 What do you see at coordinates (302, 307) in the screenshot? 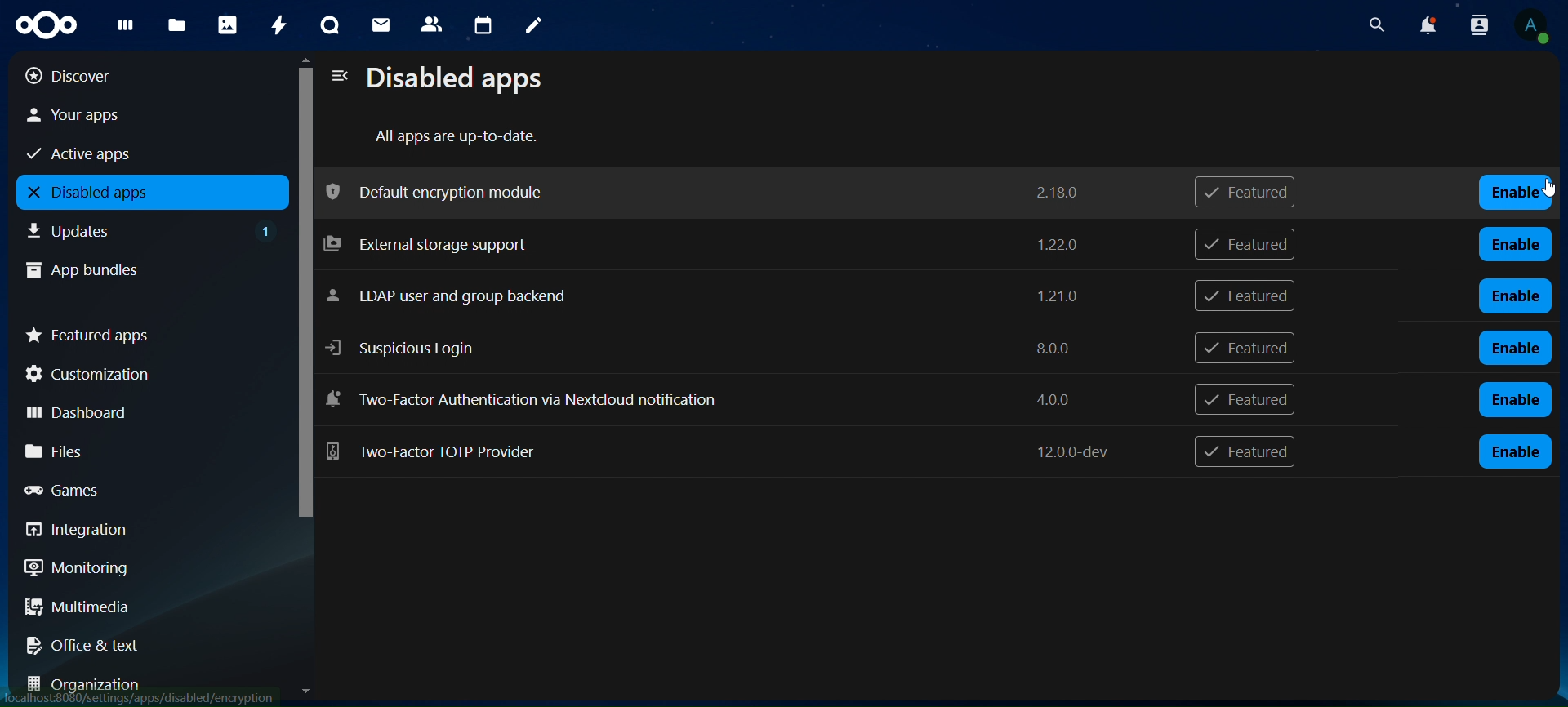
I see `scrollbar` at bounding box center [302, 307].